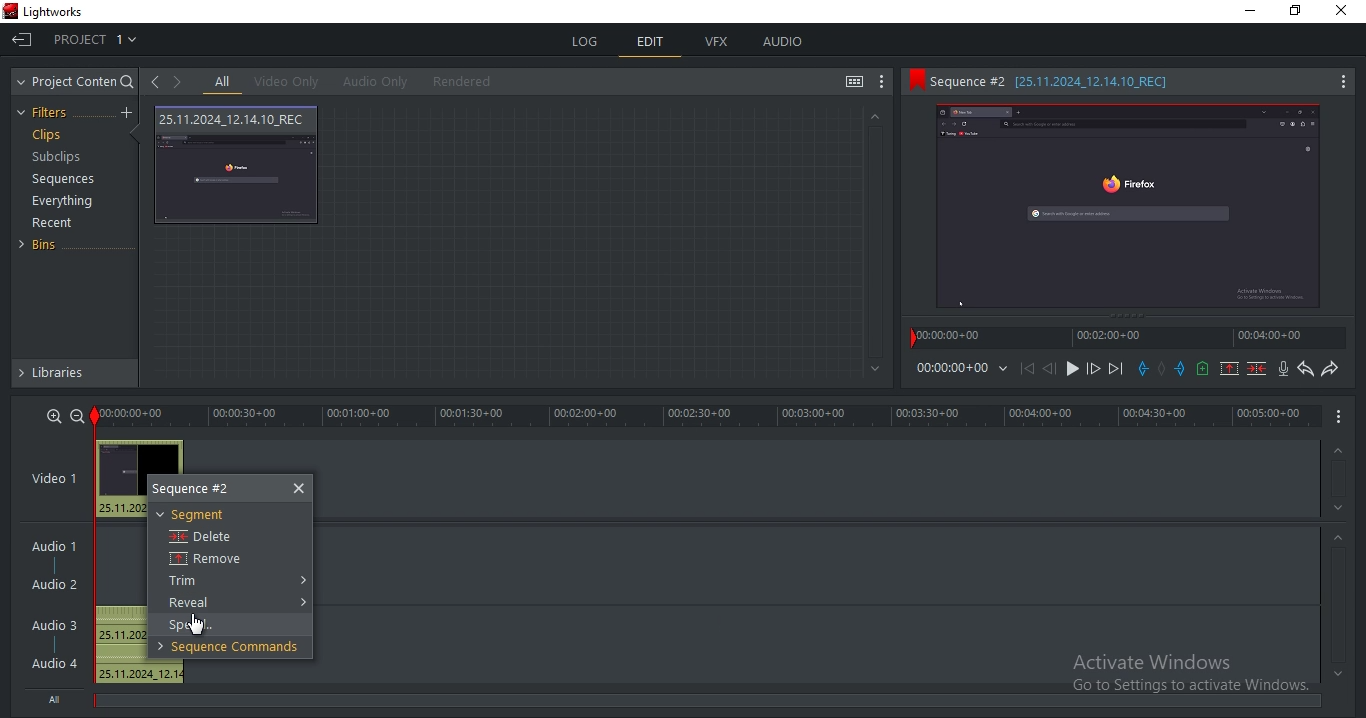  What do you see at coordinates (62, 203) in the screenshot?
I see `everything` at bounding box center [62, 203].